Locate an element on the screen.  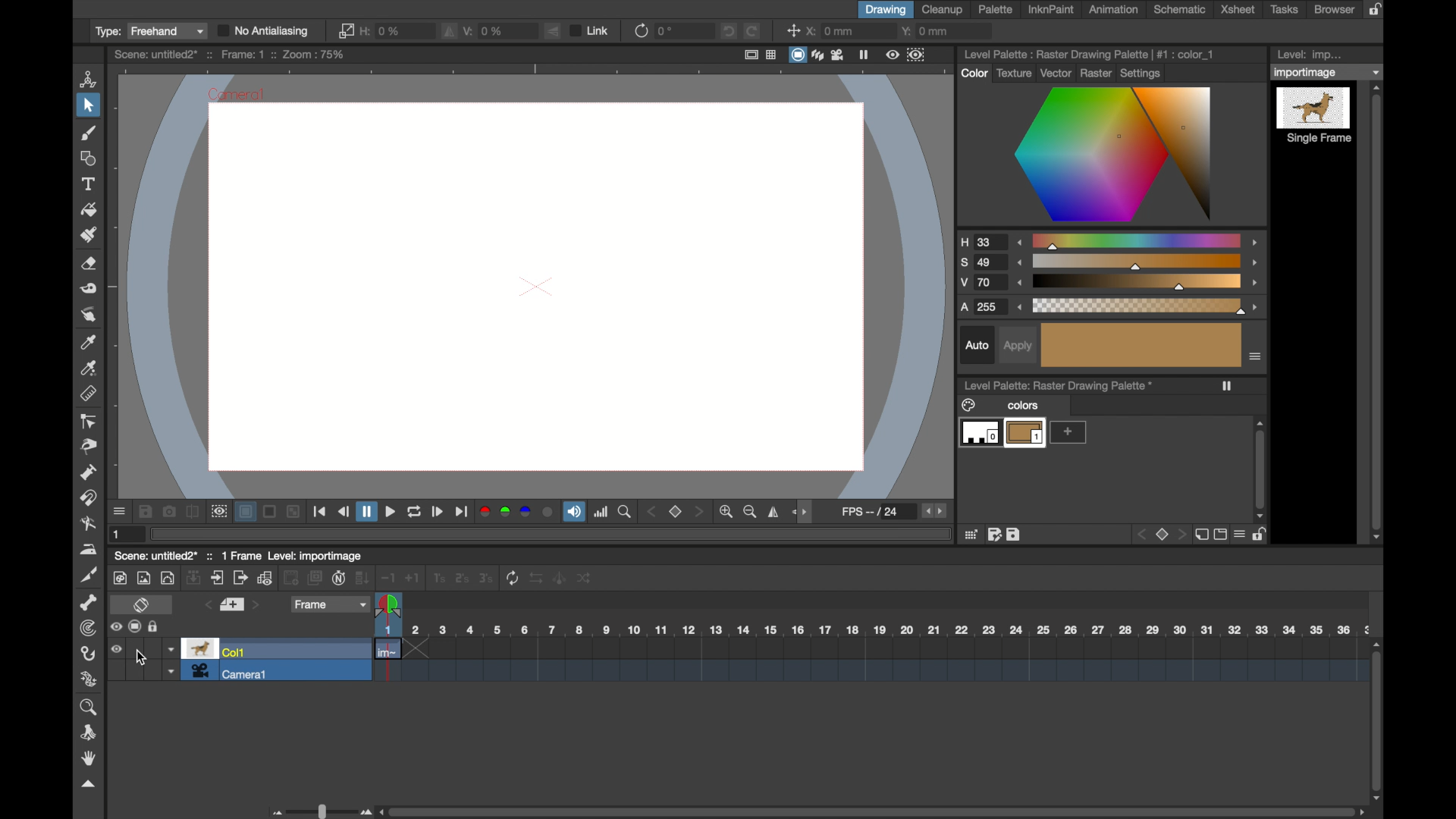
col1 is located at coordinates (217, 650).